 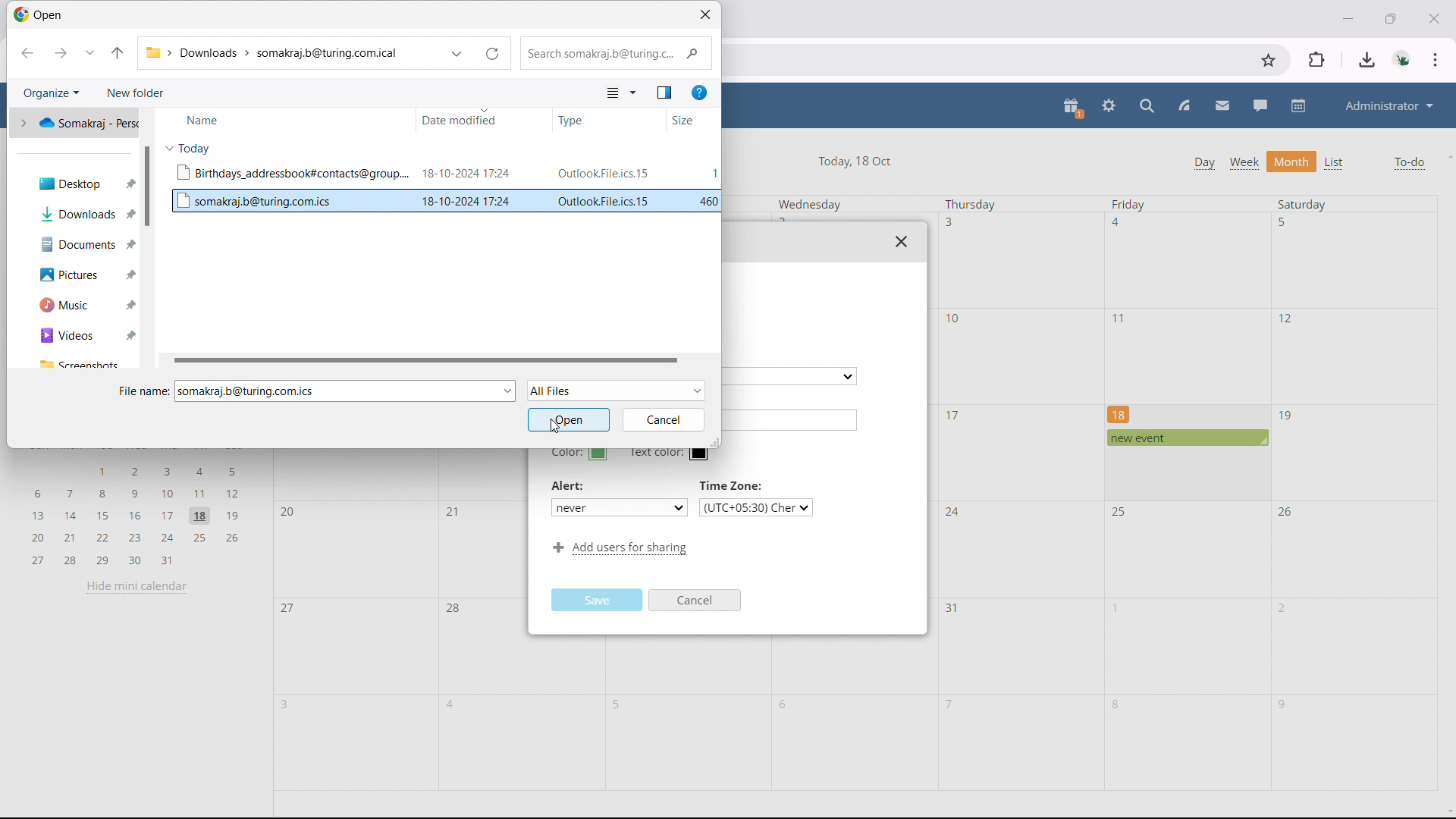 What do you see at coordinates (733, 485) in the screenshot?
I see `Time Zone:` at bounding box center [733, 485].